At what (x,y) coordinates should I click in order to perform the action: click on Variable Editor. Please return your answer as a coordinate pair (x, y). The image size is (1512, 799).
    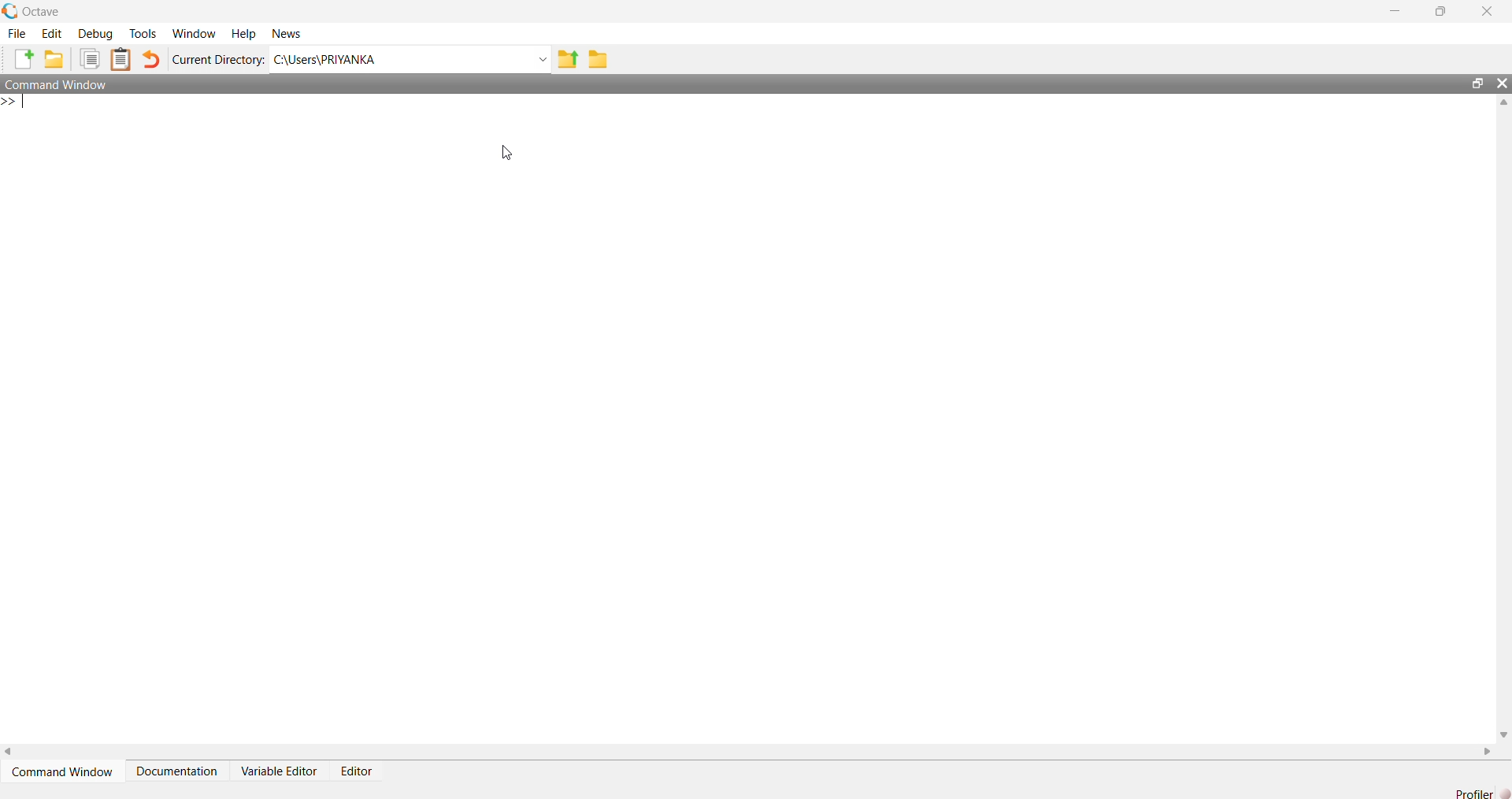
    Looking at the image, I should click on (280, 771).